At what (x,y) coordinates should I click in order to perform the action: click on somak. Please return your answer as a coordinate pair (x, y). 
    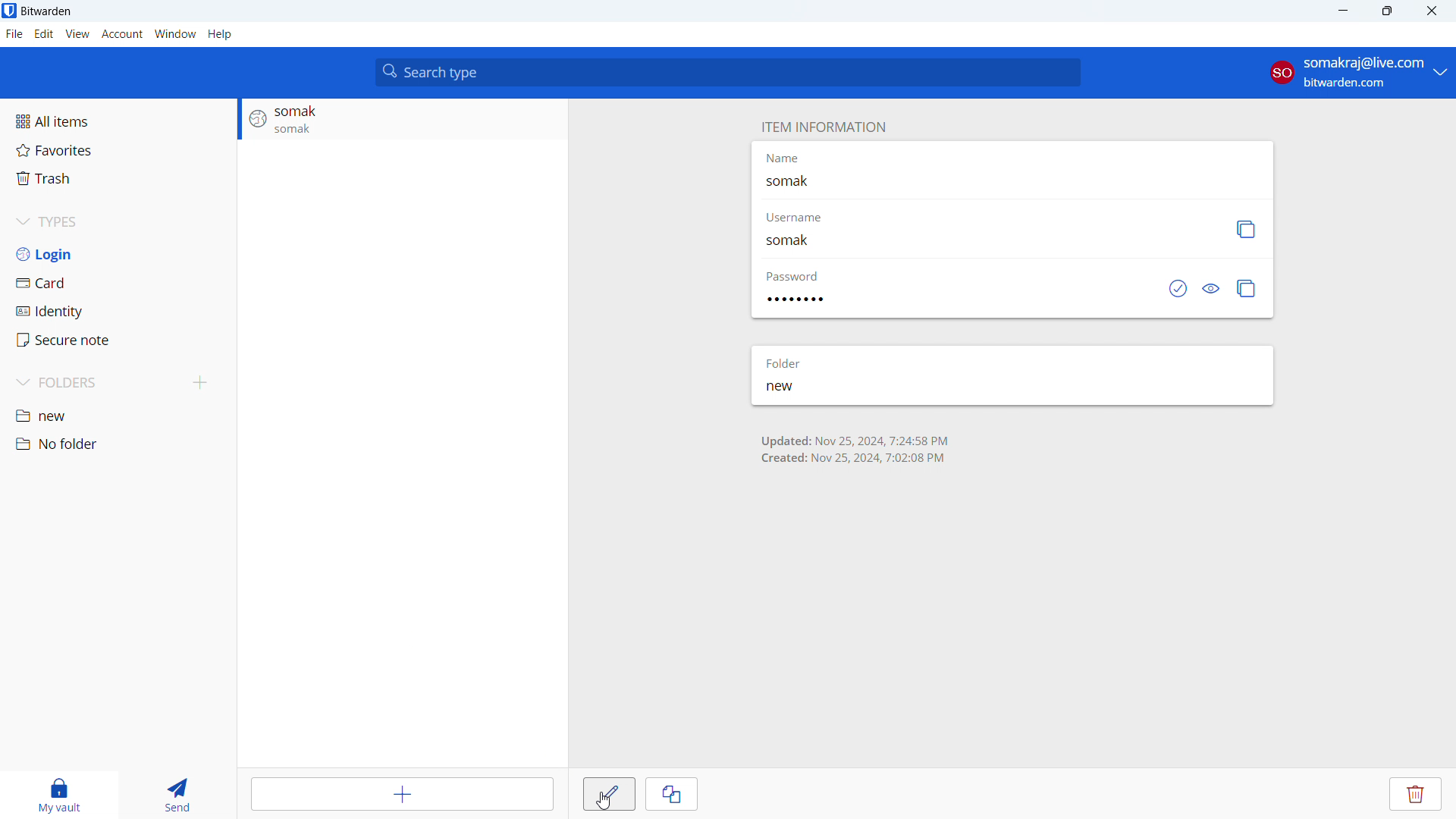
    Looking at the image, I should click on (807, 182).